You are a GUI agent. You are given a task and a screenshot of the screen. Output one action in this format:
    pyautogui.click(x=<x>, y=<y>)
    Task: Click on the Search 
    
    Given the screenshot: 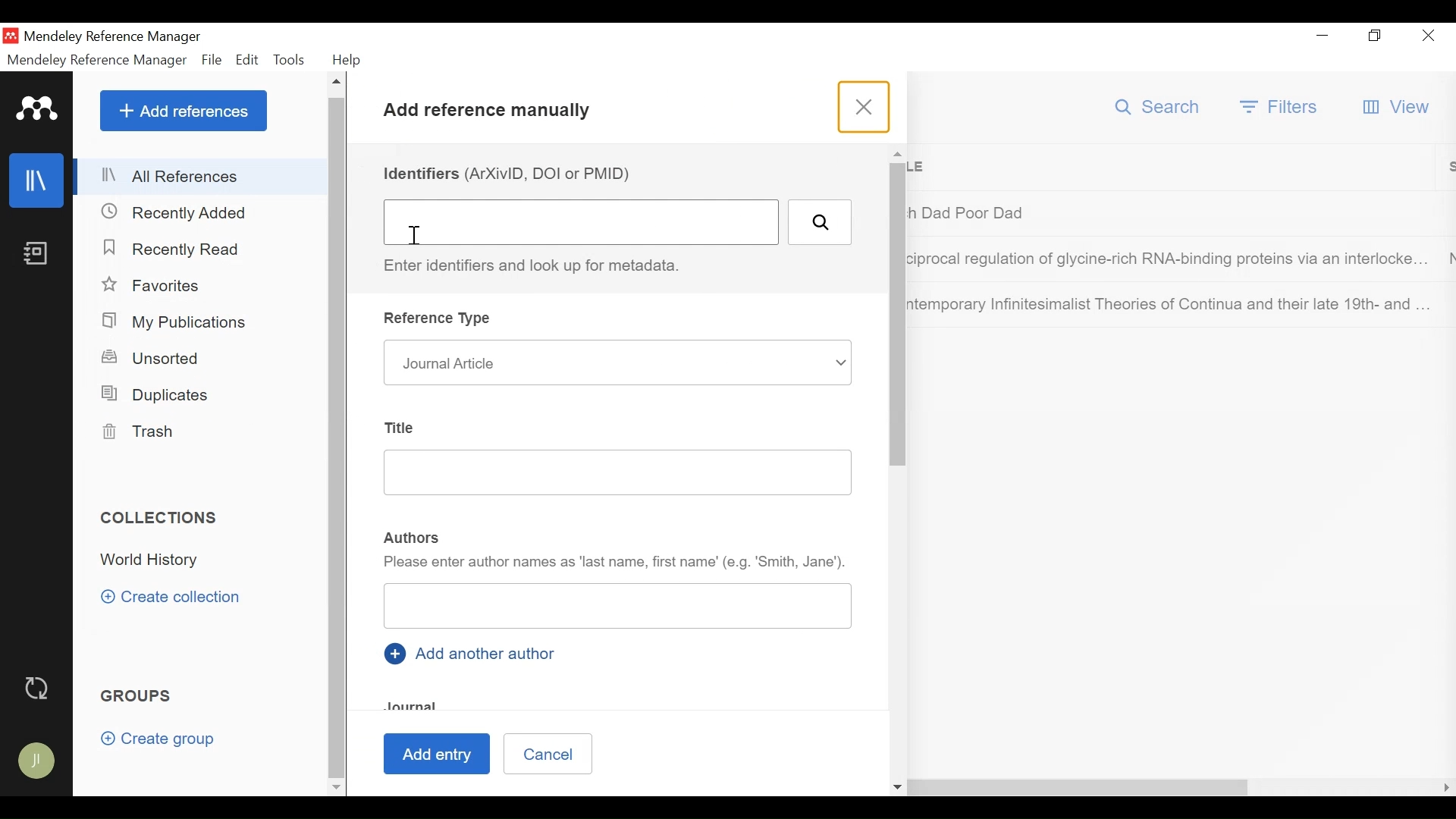 What is the action you would take?
    pyautogui.click(x=1159, y=107)
    